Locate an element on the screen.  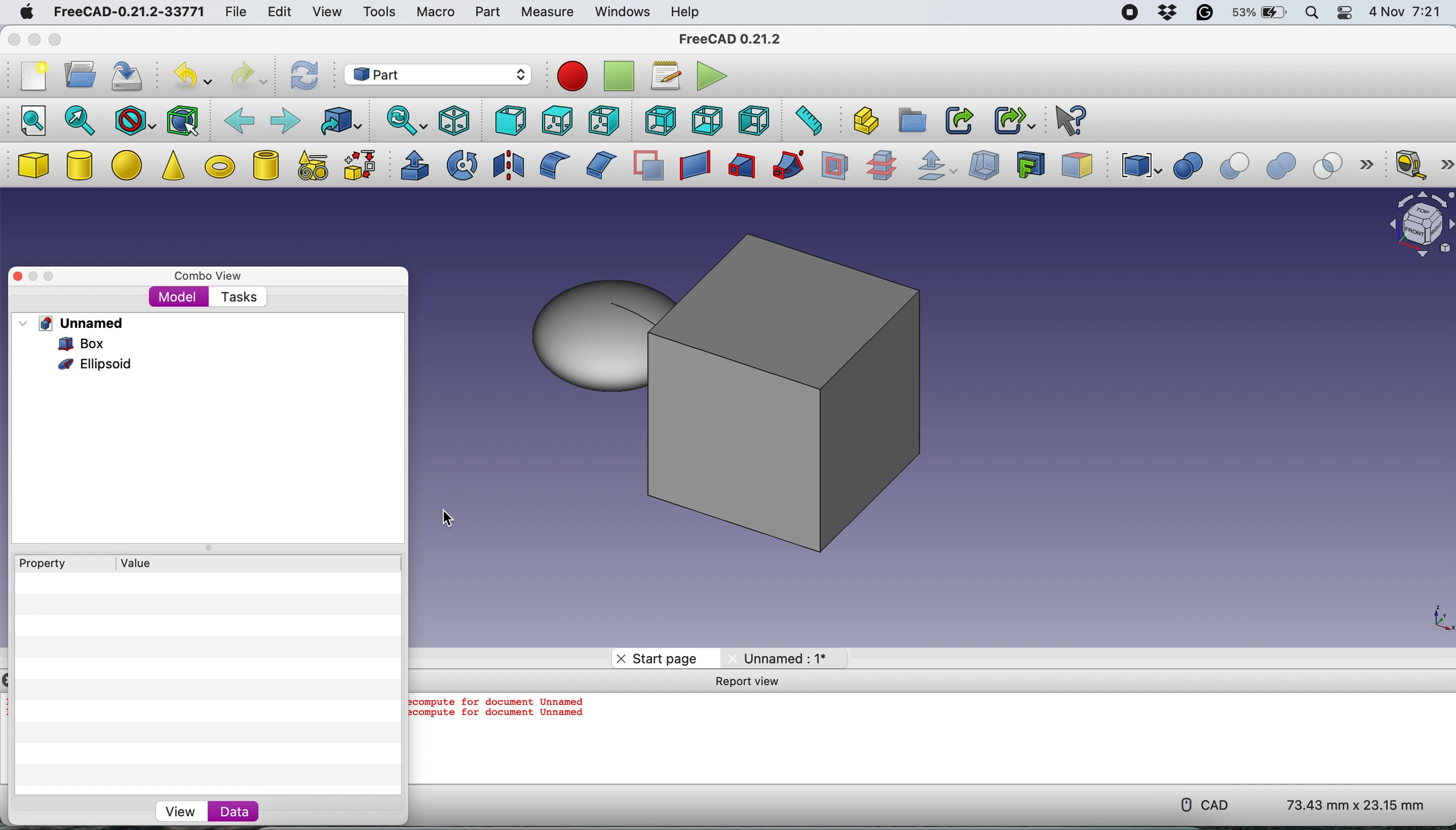
start page is located at coordinates (657, 658).